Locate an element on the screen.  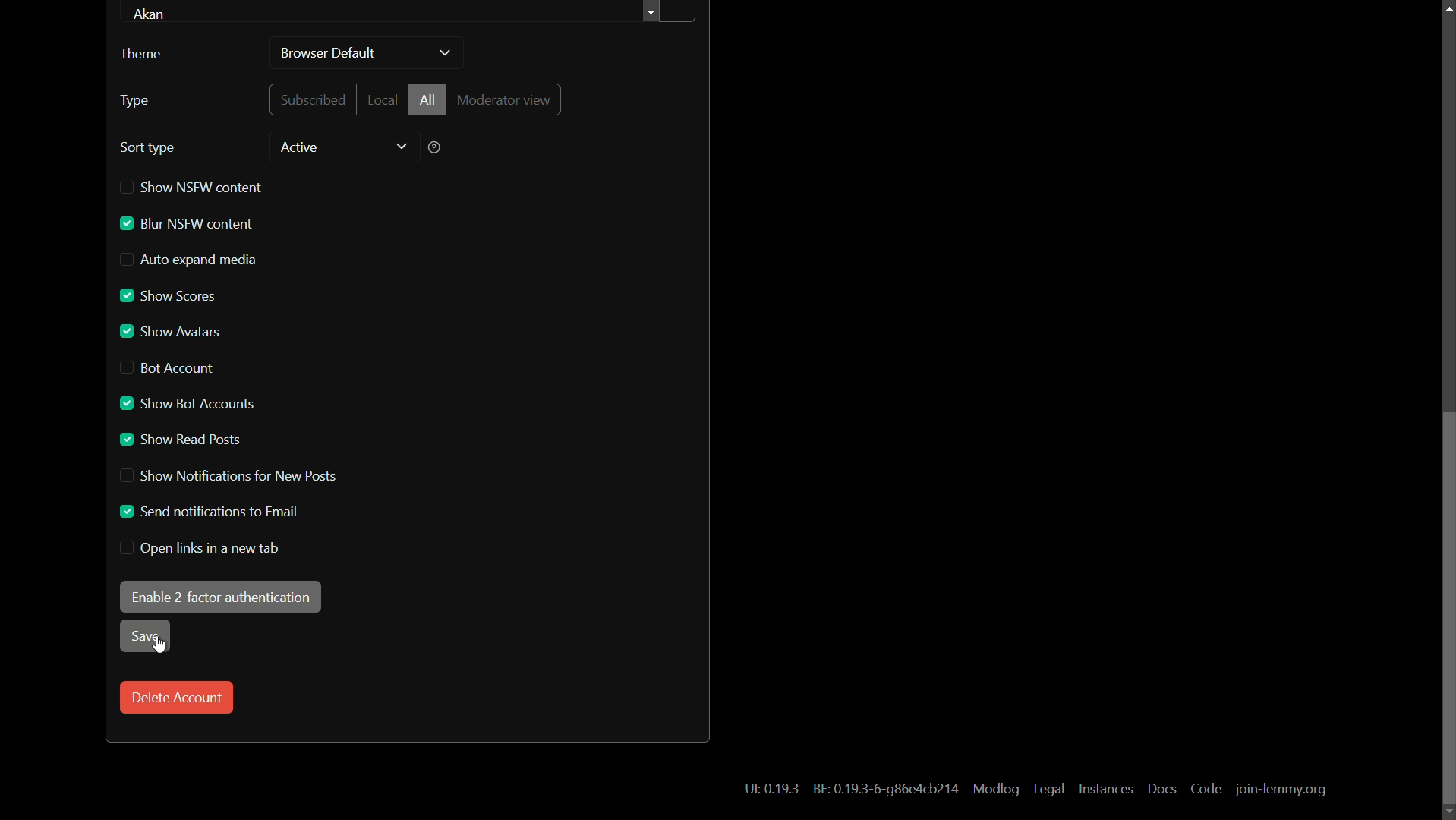
auto expand media is located at coordinates (190, 260).